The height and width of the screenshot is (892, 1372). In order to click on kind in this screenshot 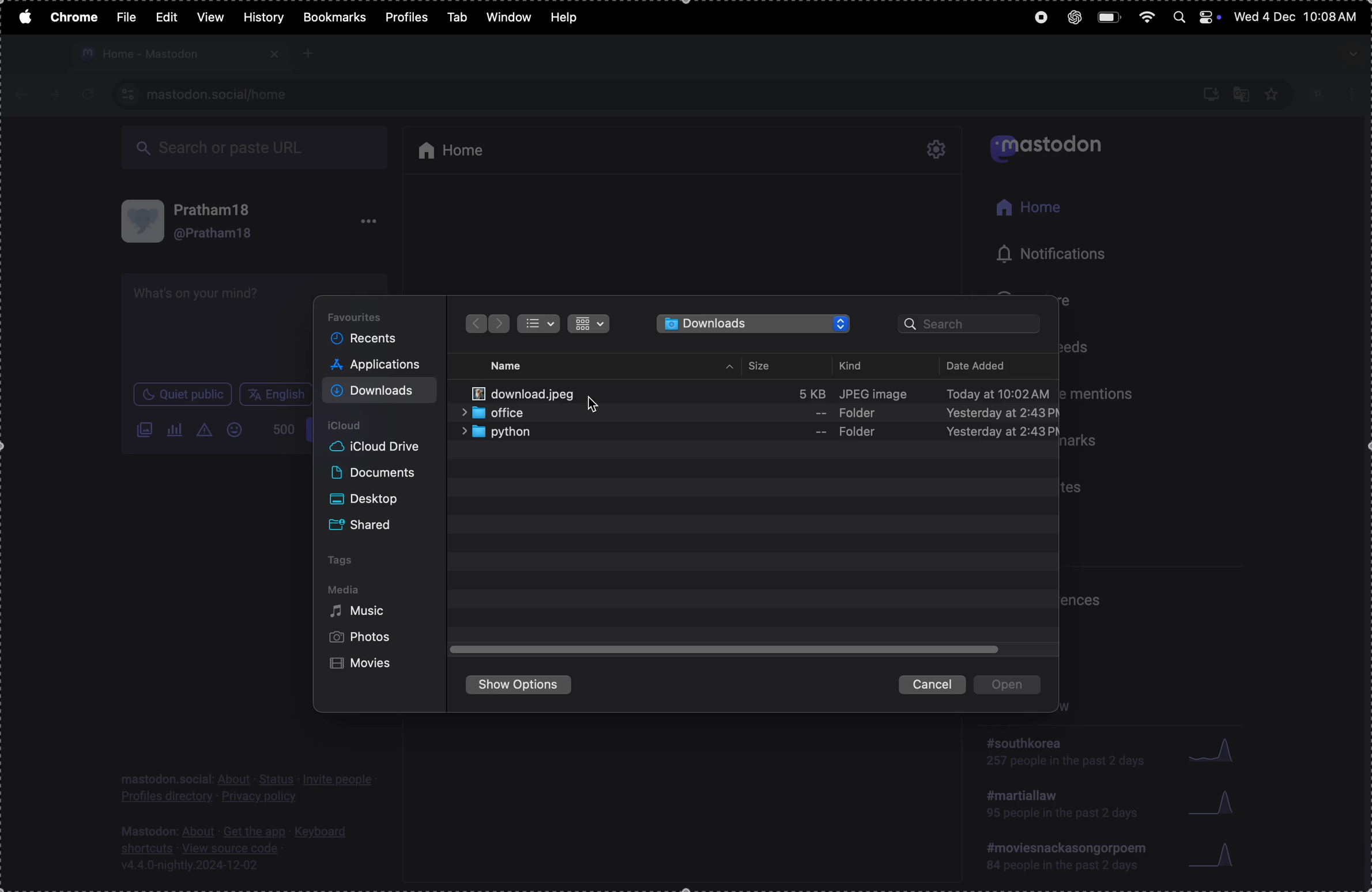, I will do `click(856, 365)`.